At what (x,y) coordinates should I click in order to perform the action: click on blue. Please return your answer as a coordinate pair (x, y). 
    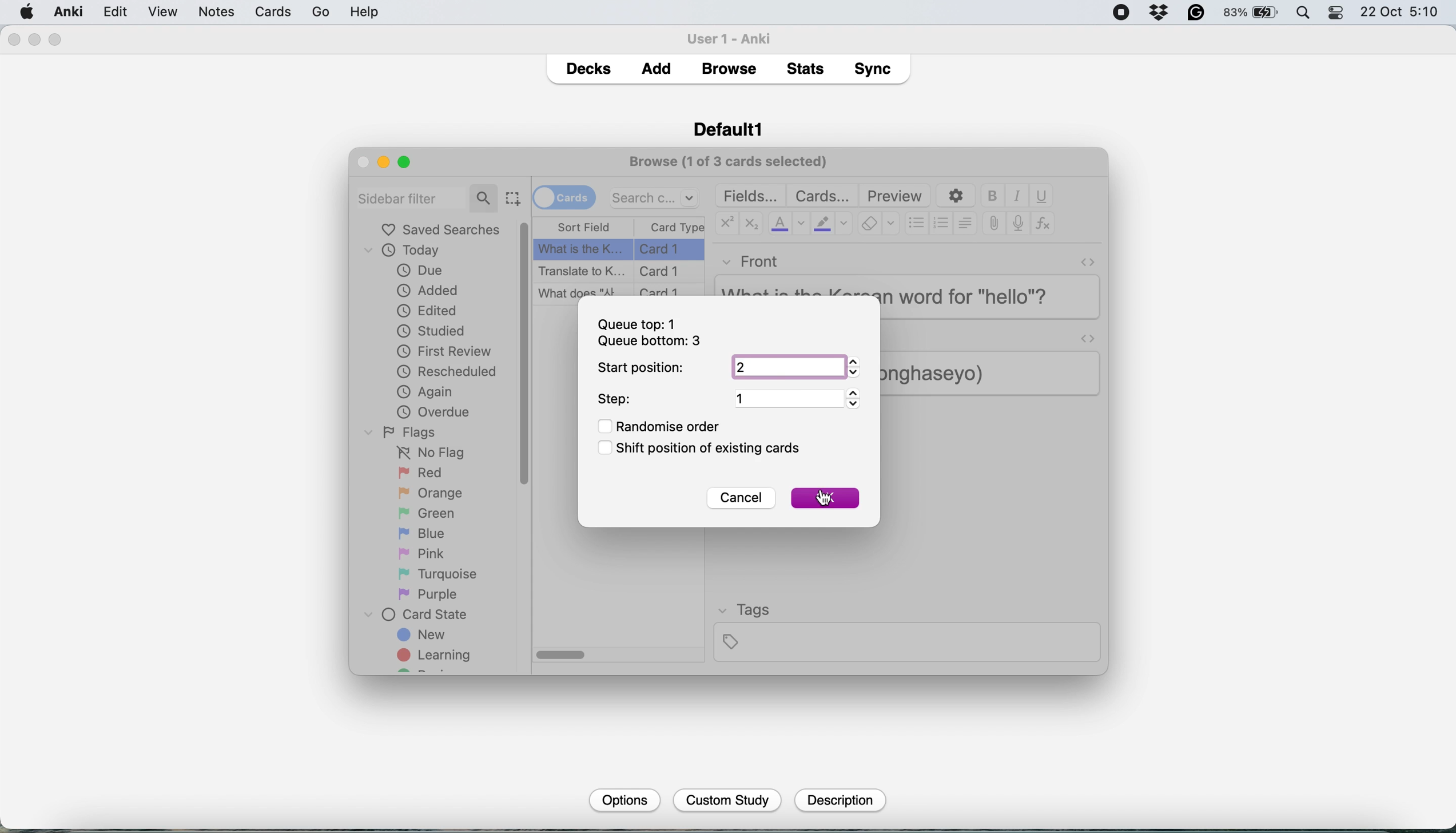
    Looking at the image, I should click on (430, 532).